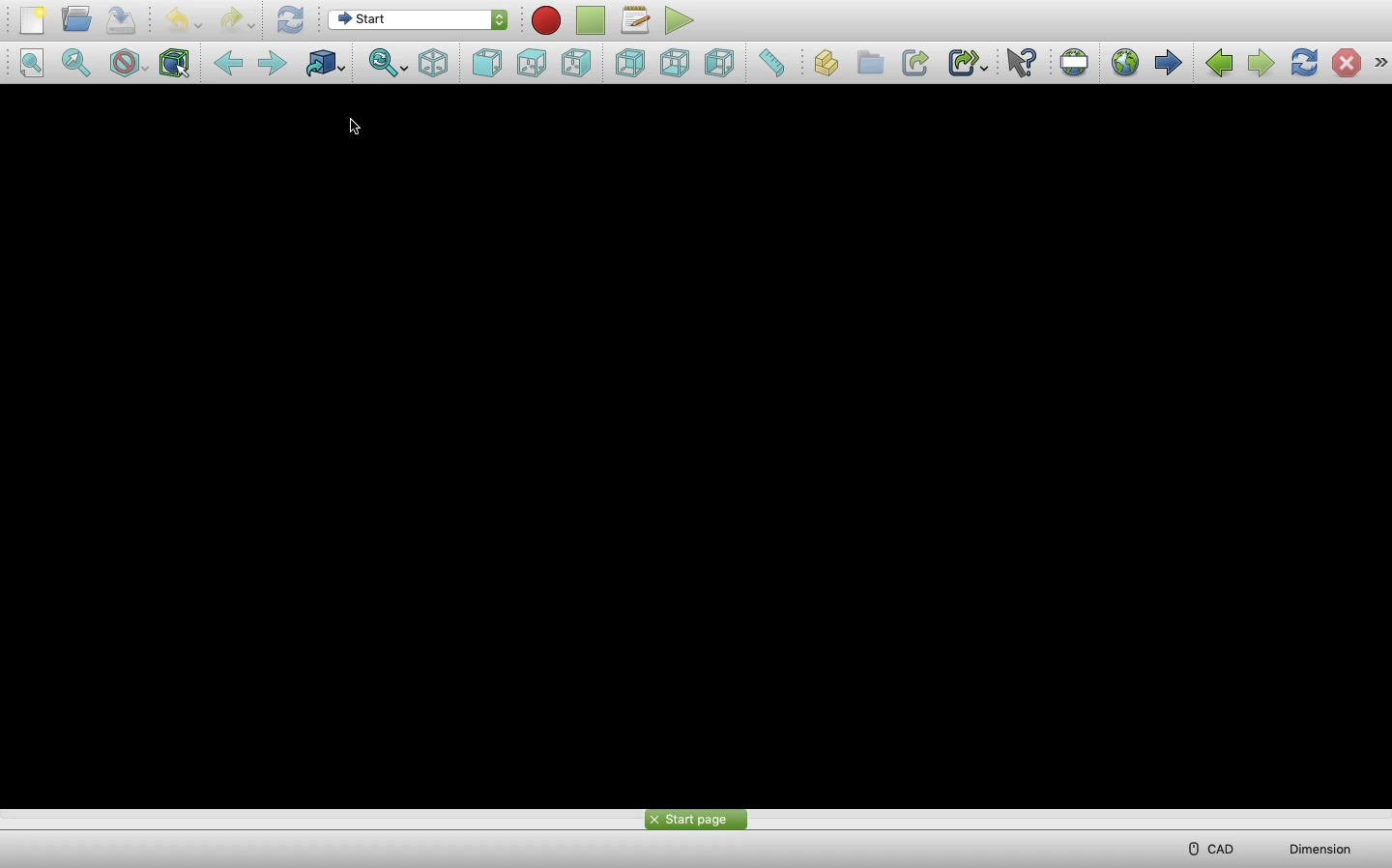 The image size is (1392, 868). What do you see at coordinates (418, 20) in the screenshot?
I see `Start` at bounding box center [418, 20].